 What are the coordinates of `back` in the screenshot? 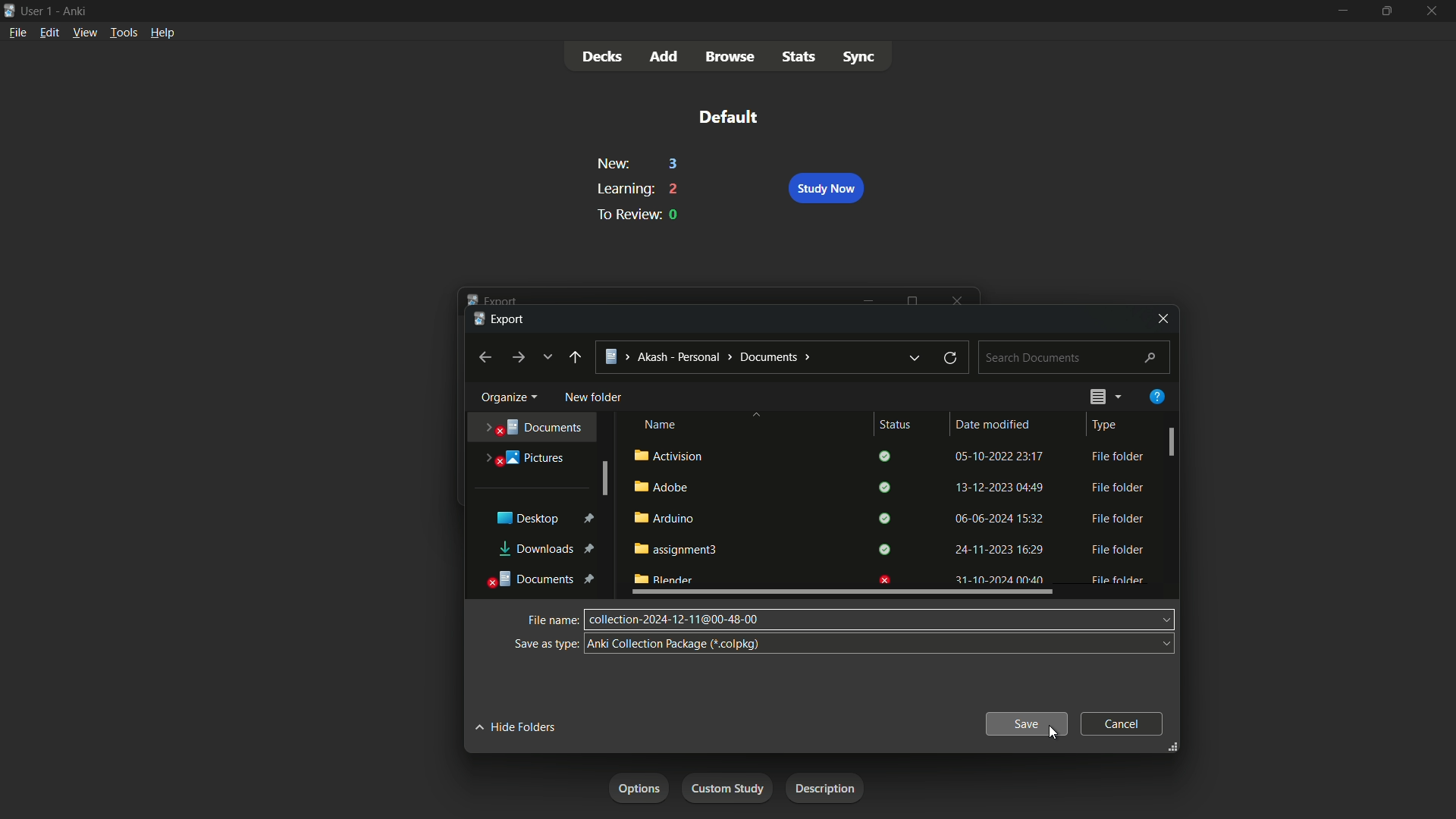 It's located at (485, 358).